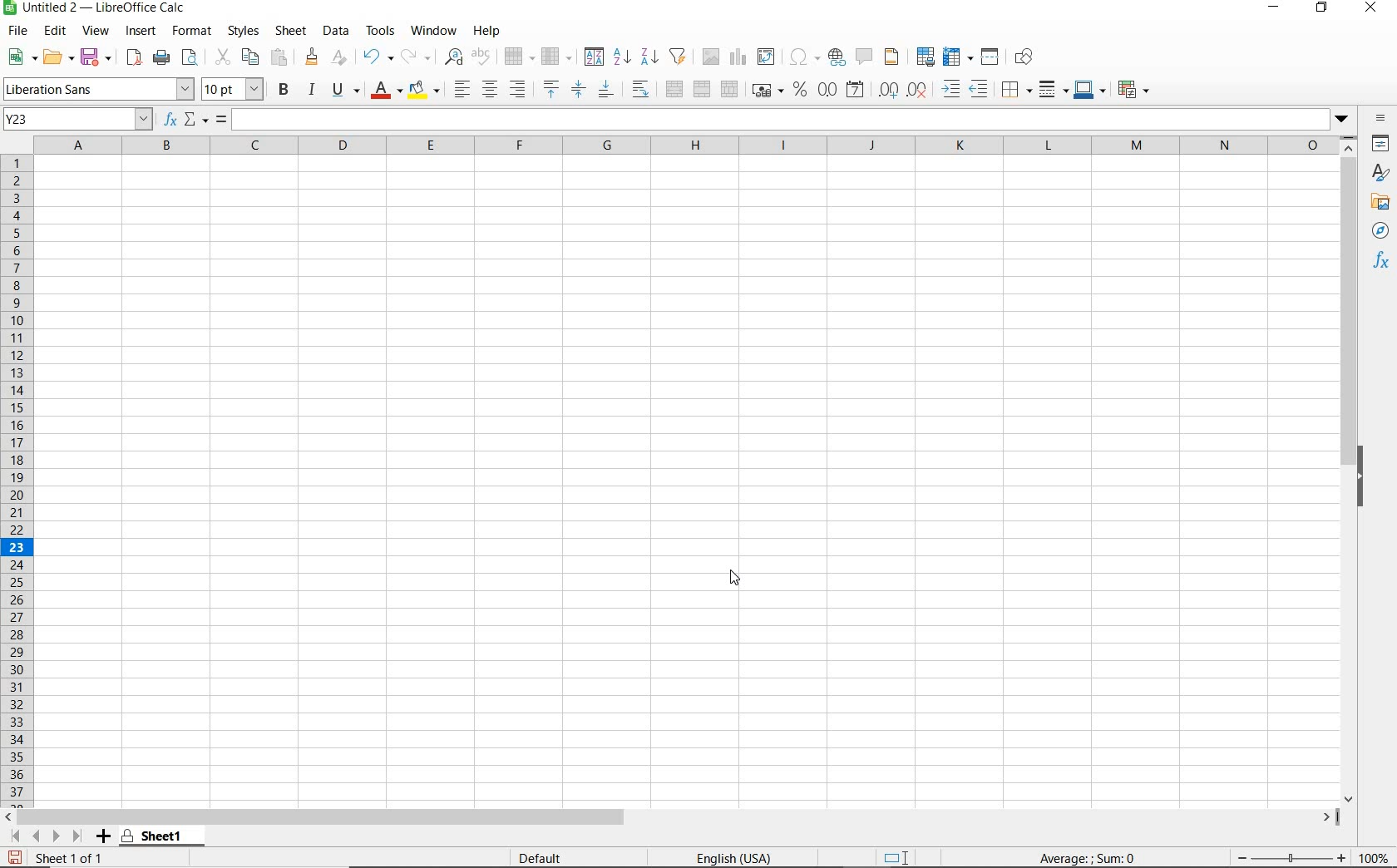 The height and width of the screenshot is (868, 1397). What do you see at coordinates (78, 120) in the screenshot?
I see `NAME BOX` at bounding box center [78, 120].